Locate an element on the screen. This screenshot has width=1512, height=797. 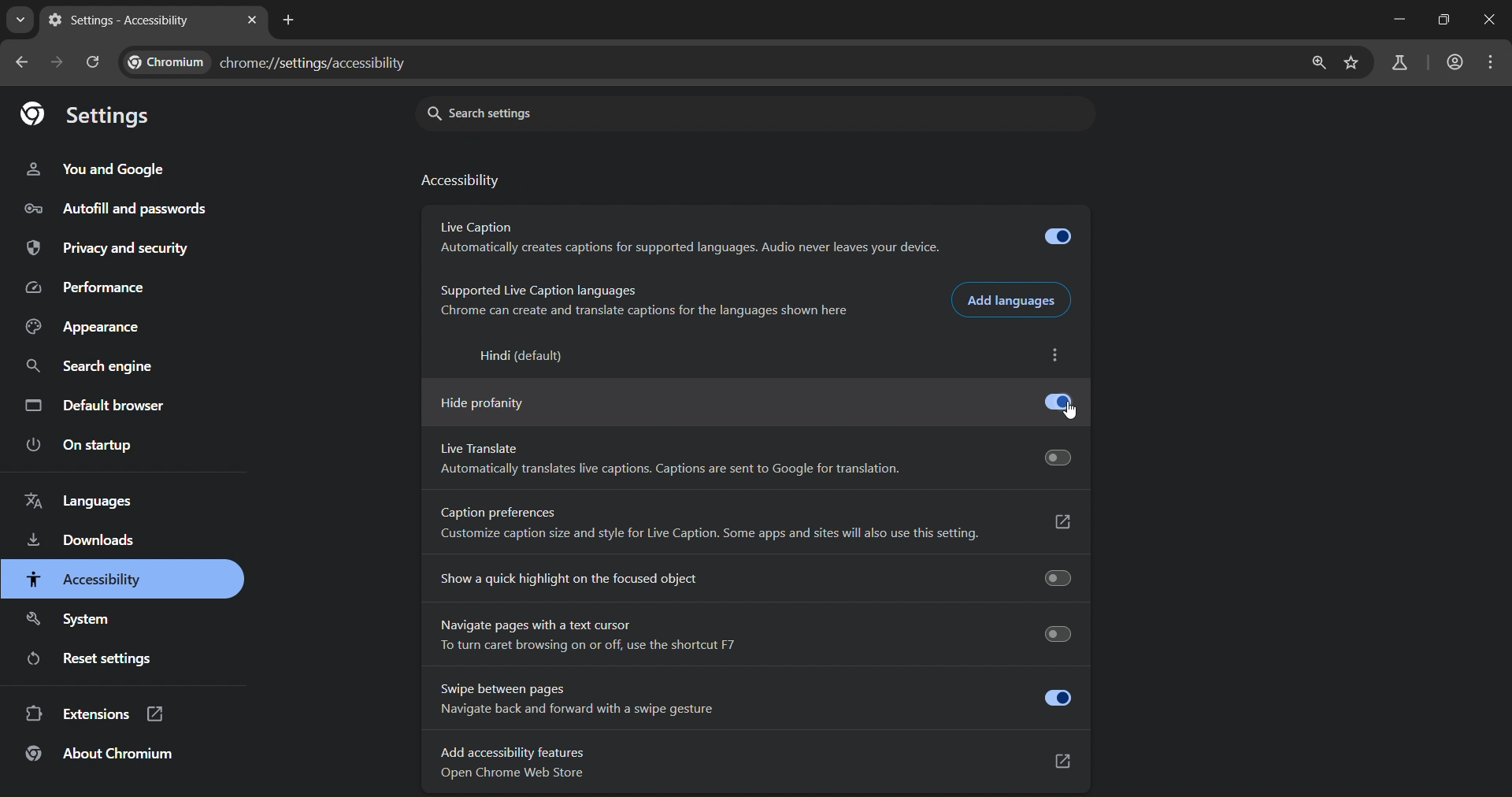
privacy and security is located at coordinates (113, 248).